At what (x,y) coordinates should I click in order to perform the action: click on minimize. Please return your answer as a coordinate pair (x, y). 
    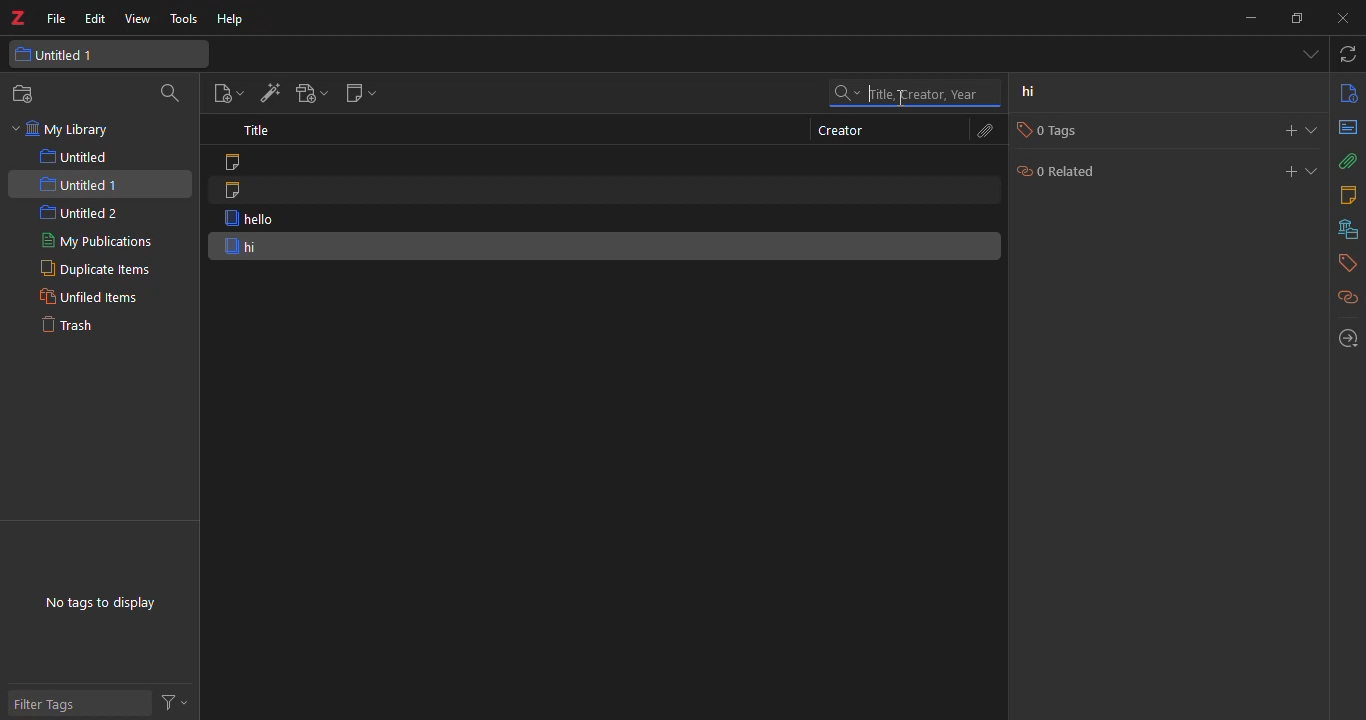
    Looking at the image, I should click on (1251, 19).